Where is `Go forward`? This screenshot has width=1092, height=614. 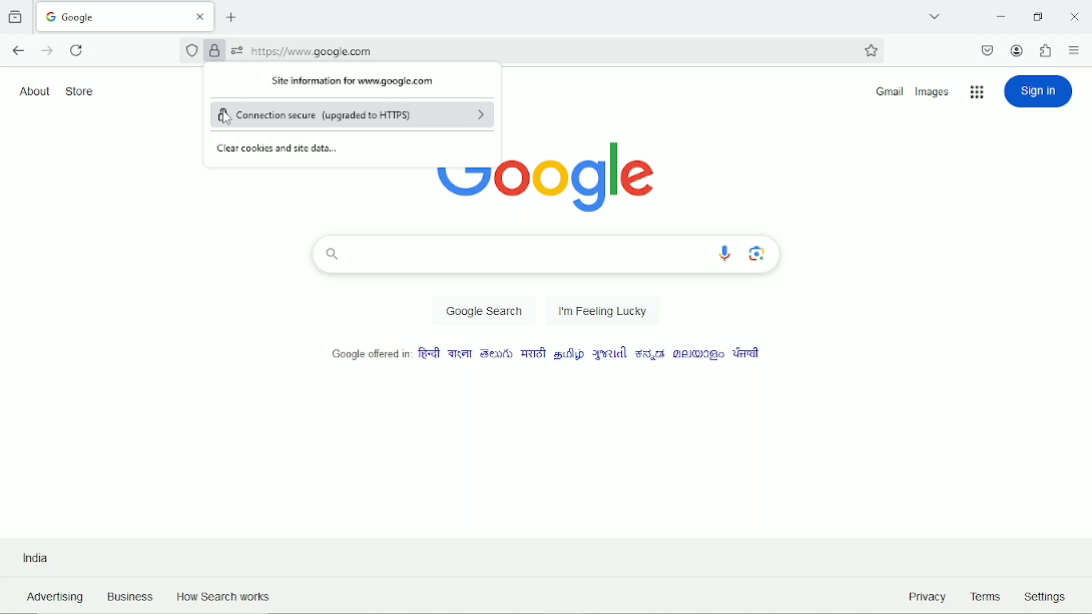 Go forward is located at coordinates (47, 51).